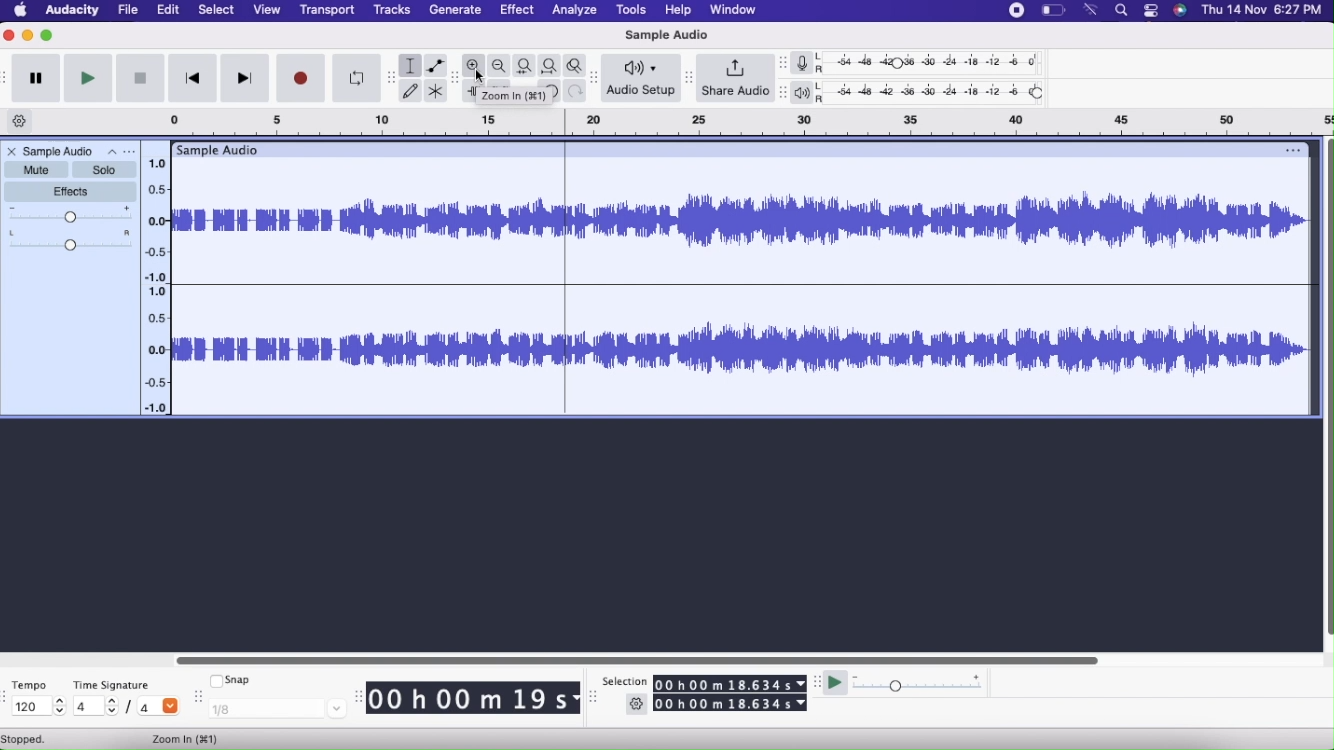  I want to click on More options, so click(1149, 11).